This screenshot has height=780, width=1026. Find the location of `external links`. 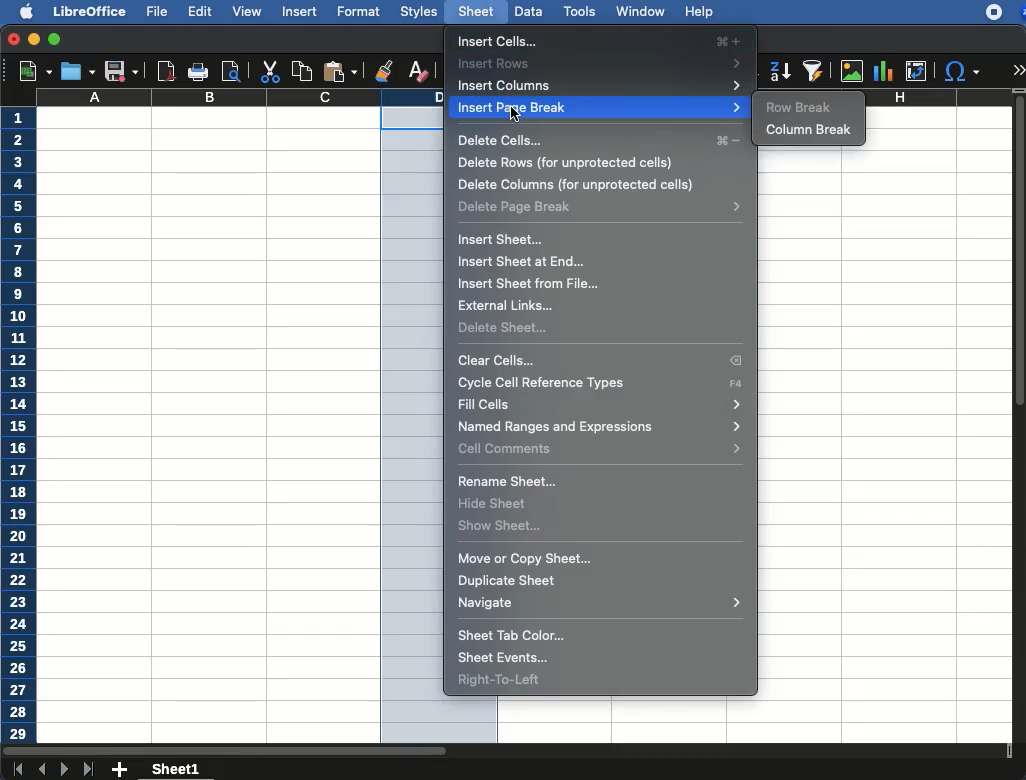

external links is located at coordinates (509, 308).